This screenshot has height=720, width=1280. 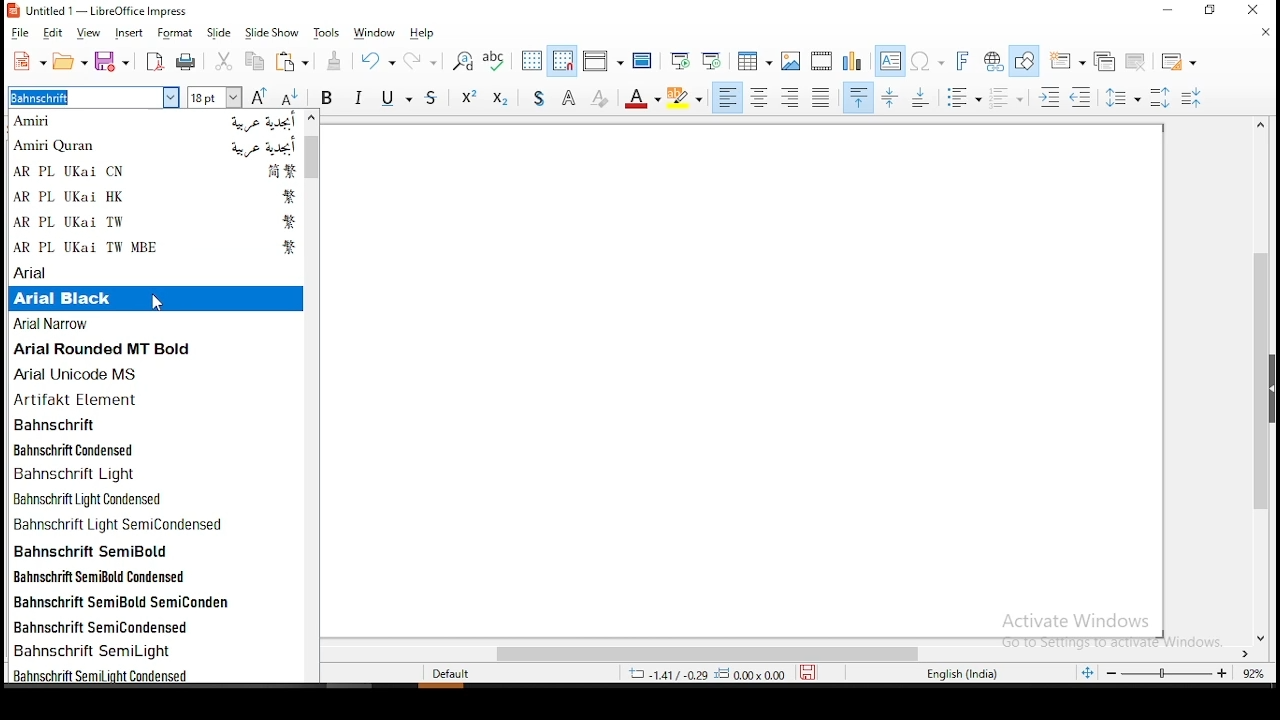 What do you see at coordinates (271, 31) in the screenshot?
I see `slide show` at bounding box center [271, 31].